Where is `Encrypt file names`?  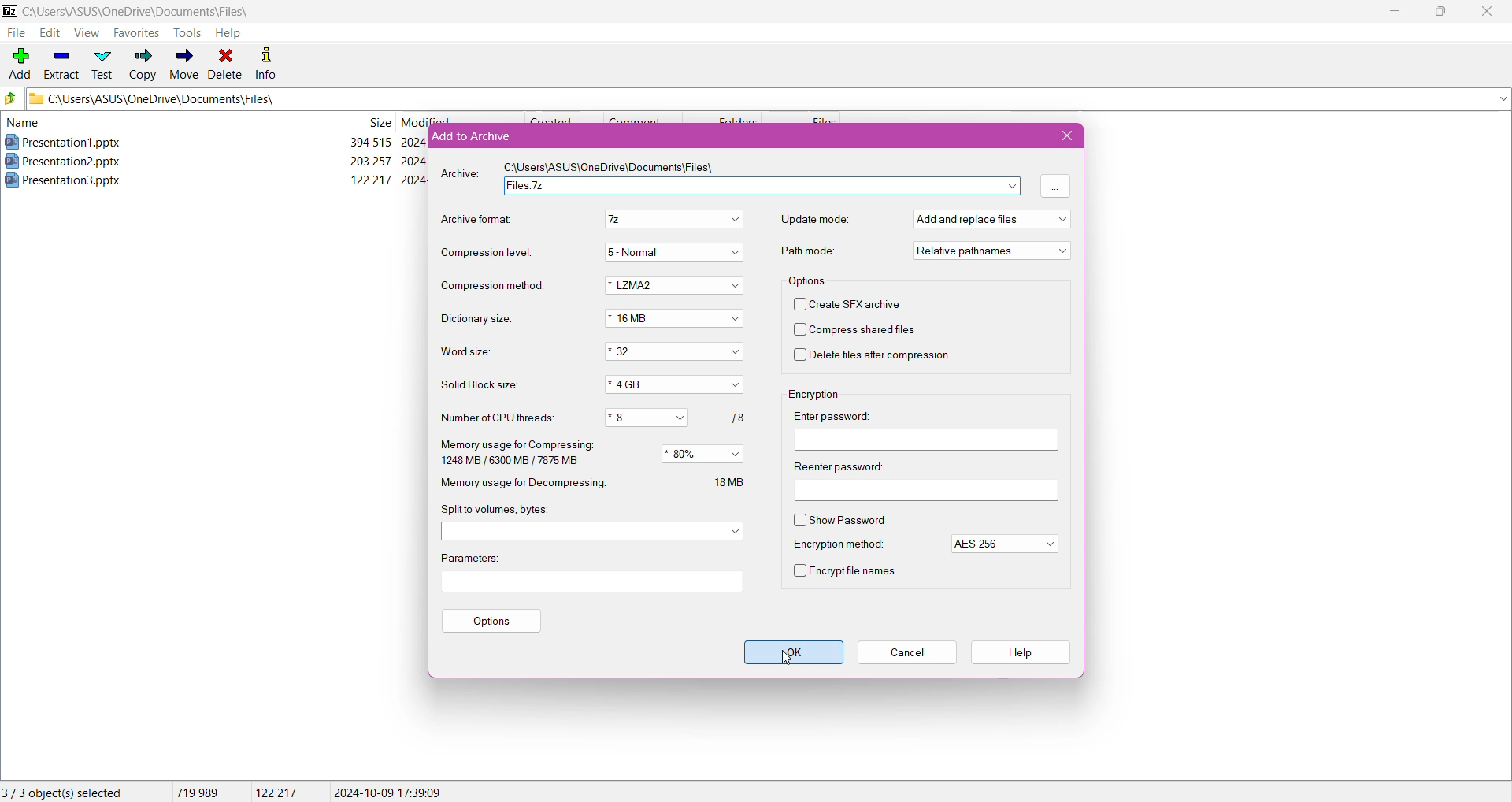
Encrypt file names is located at coordinates (847, 571).